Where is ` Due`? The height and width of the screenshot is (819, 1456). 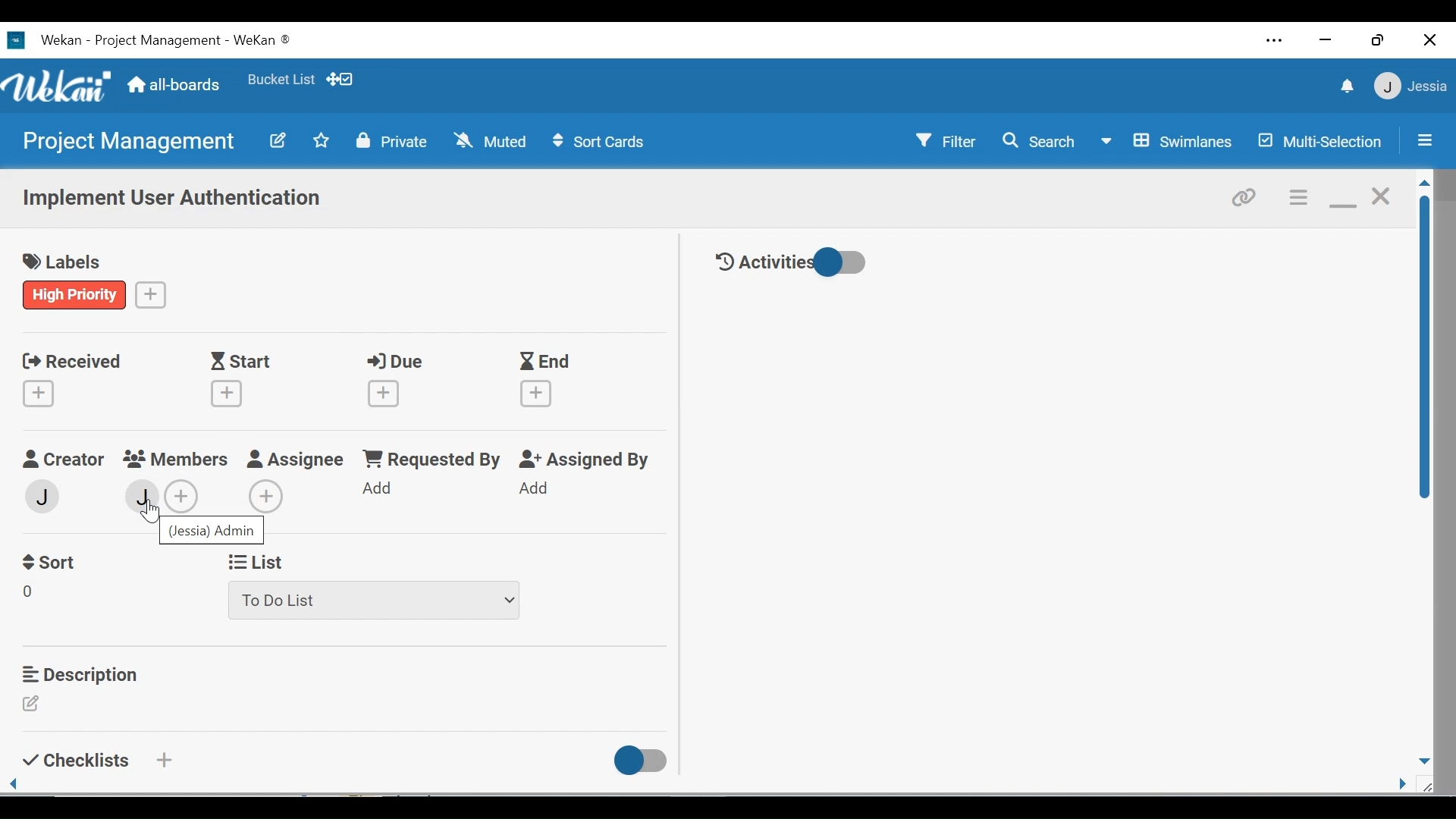
 Due is located at coordinates (390, 381).